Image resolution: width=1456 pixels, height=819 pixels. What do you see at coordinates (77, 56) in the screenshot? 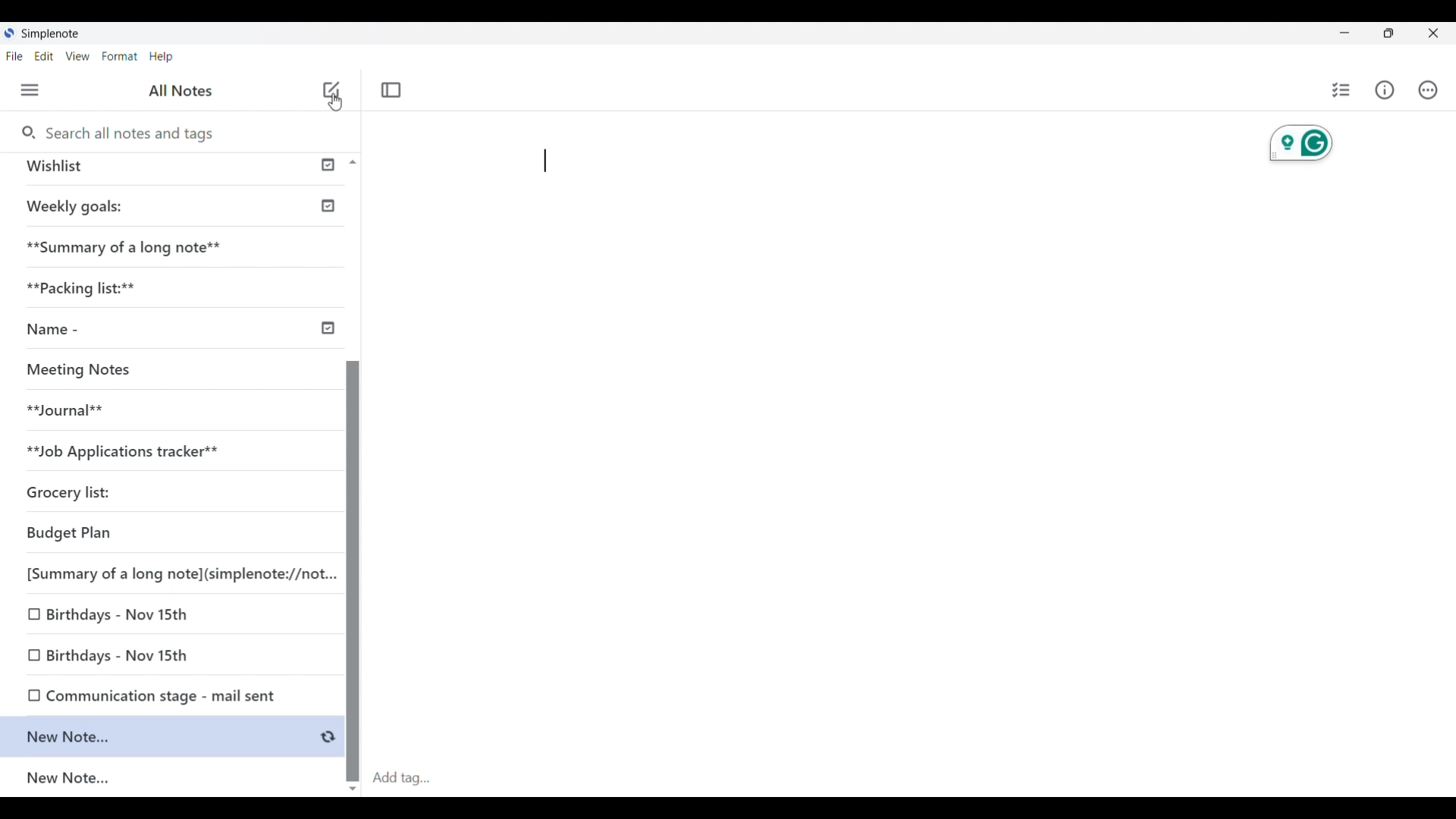
I see `View menu` at bounding box center [77, 56].